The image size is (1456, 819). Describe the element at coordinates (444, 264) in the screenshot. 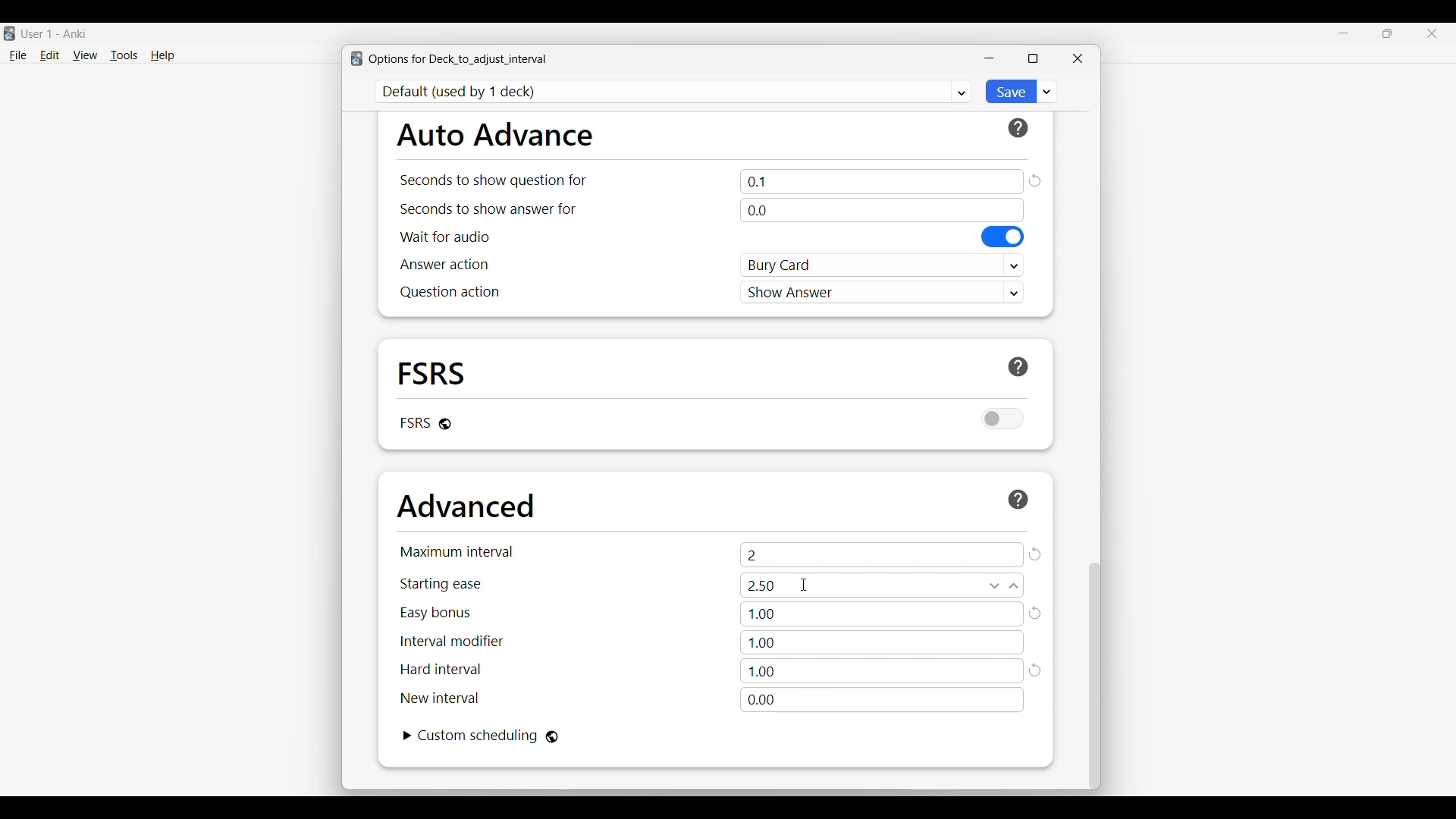

I see `Indicates answer action` at that location.